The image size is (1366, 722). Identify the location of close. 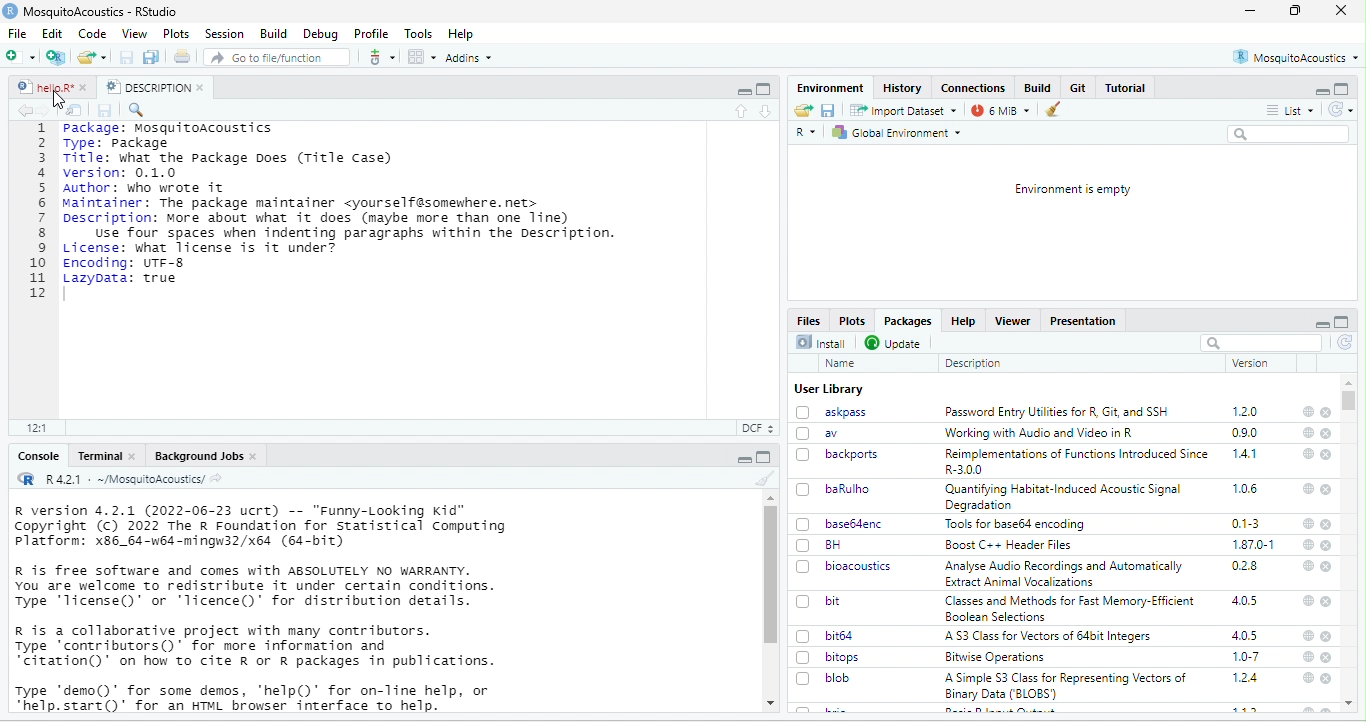
(1328, 490).